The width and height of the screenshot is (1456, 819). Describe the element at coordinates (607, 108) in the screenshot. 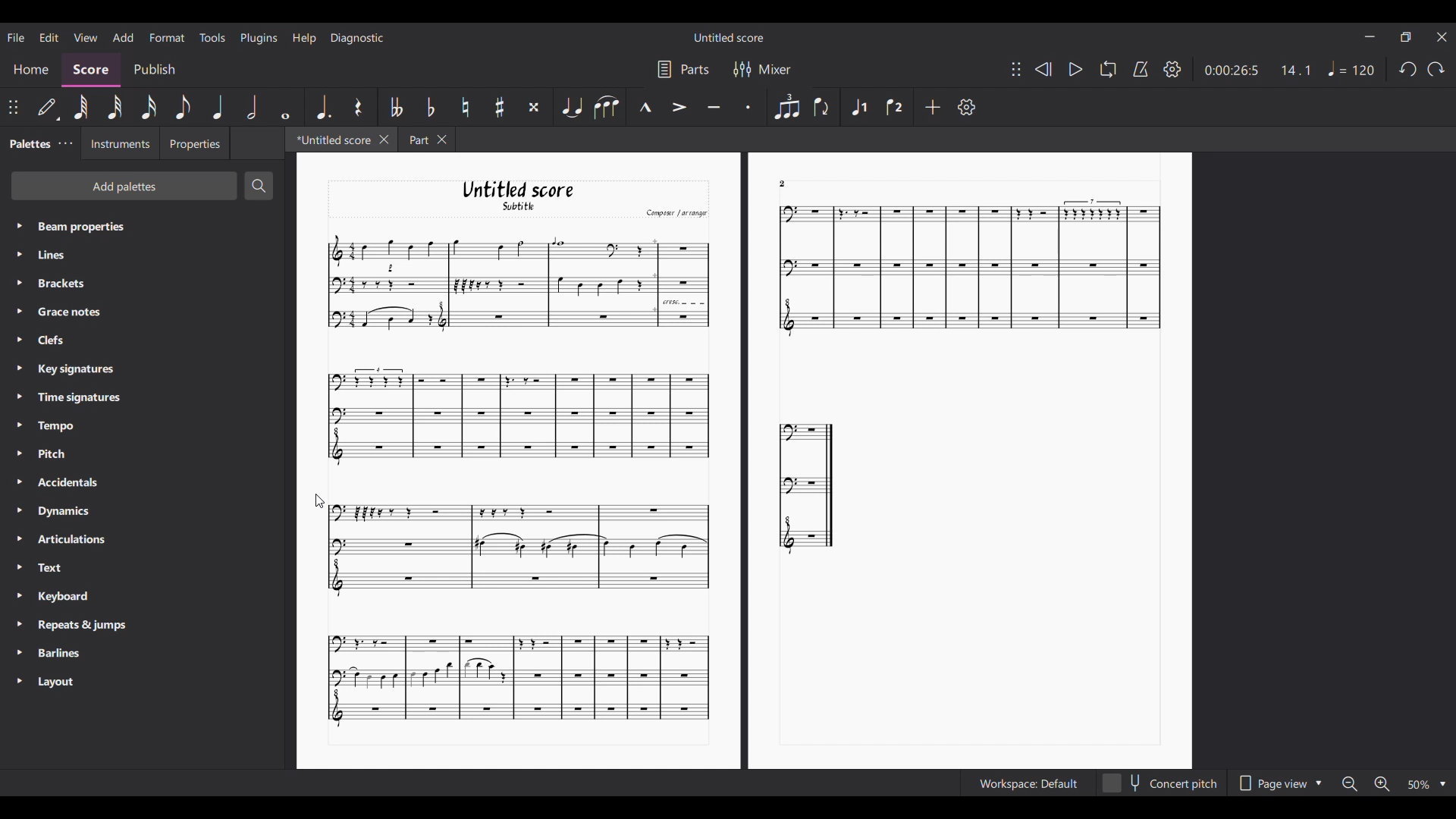

I see `Slur` at that location.